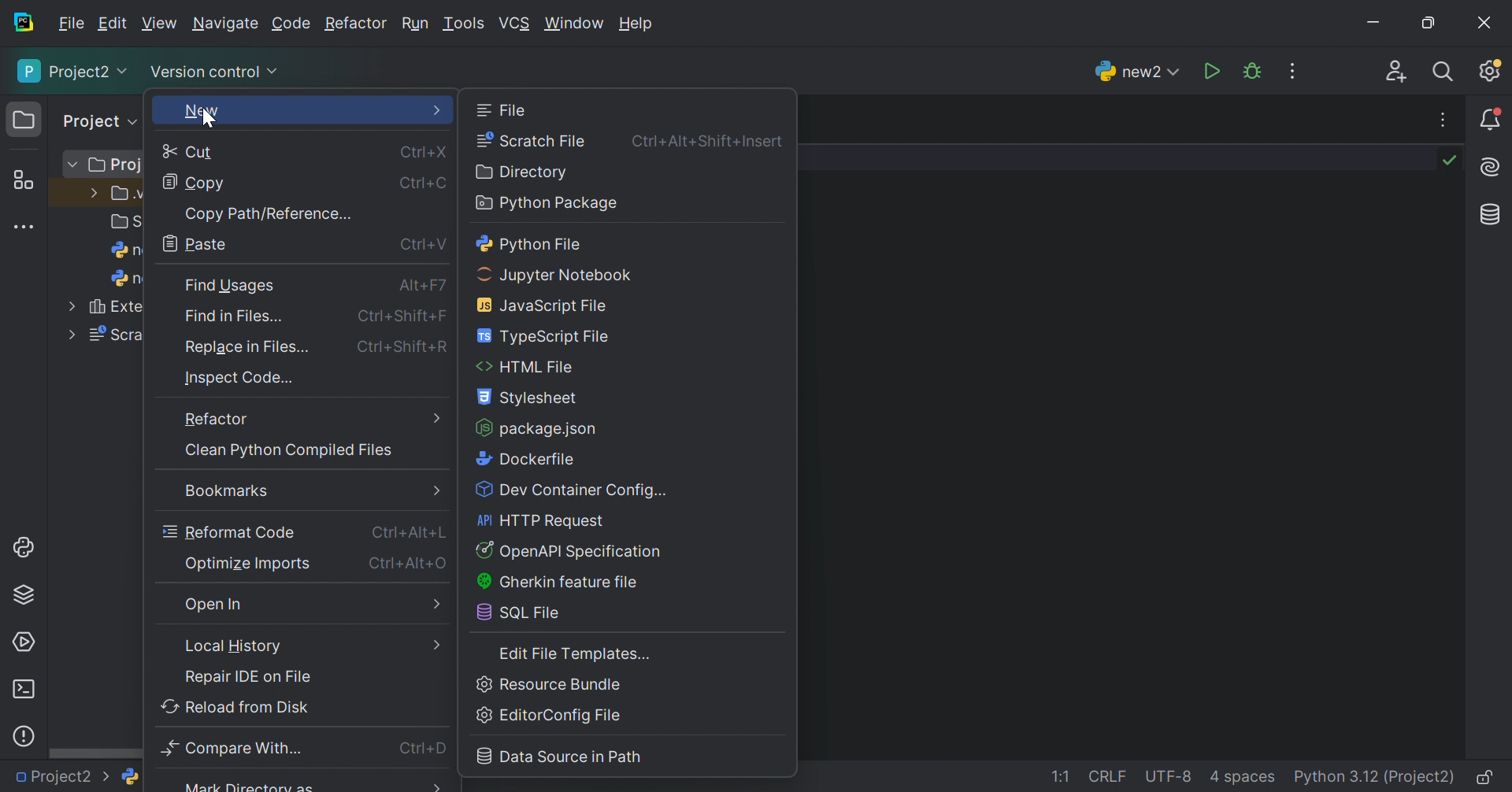 The image size is (1512, 792). What do you see at coordinates (574, 23) in the screenshot?
I see `Window` at bounding box center [574, 23].